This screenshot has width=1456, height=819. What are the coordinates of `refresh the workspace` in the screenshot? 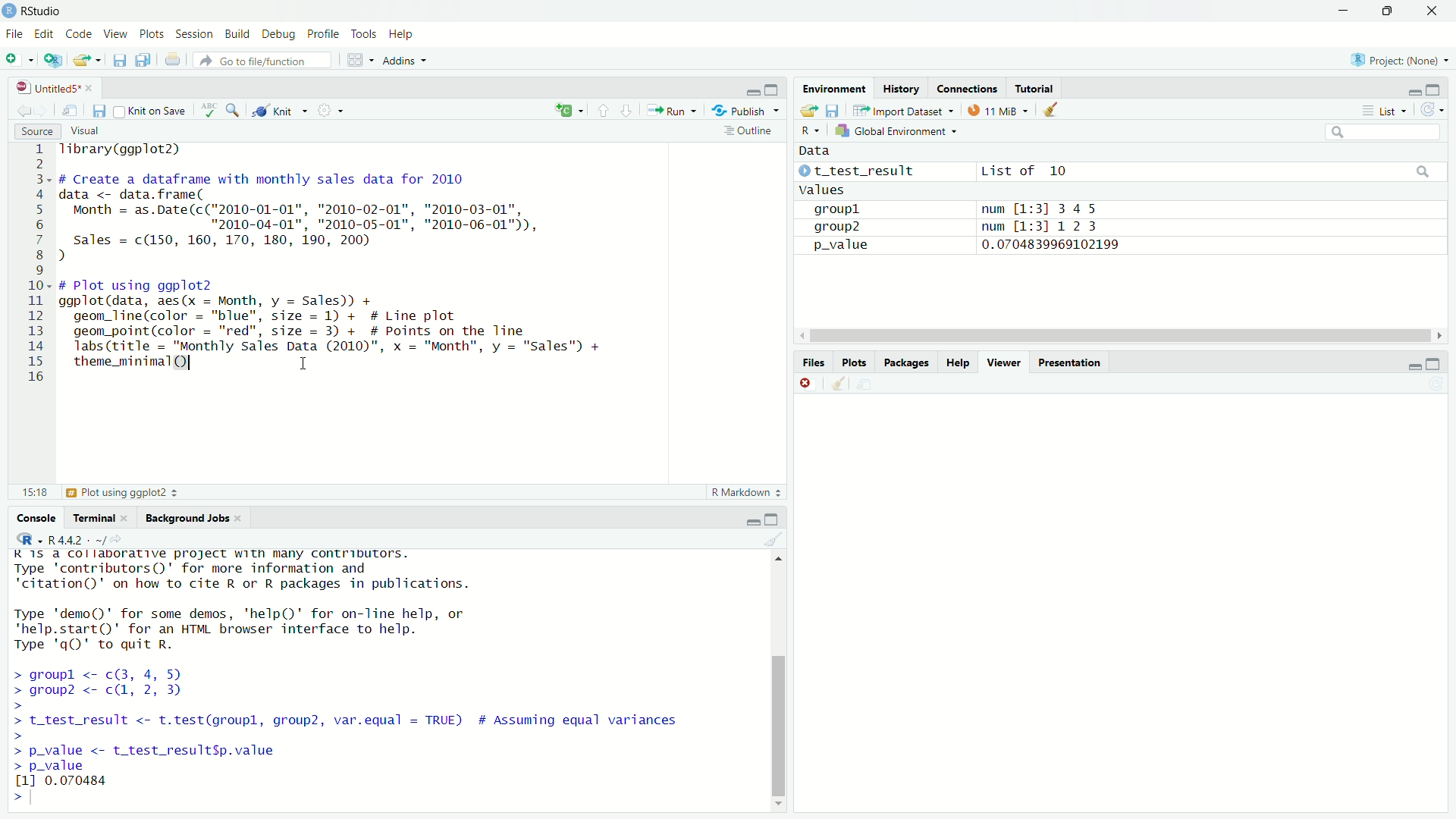 It's located at (1432, 111).